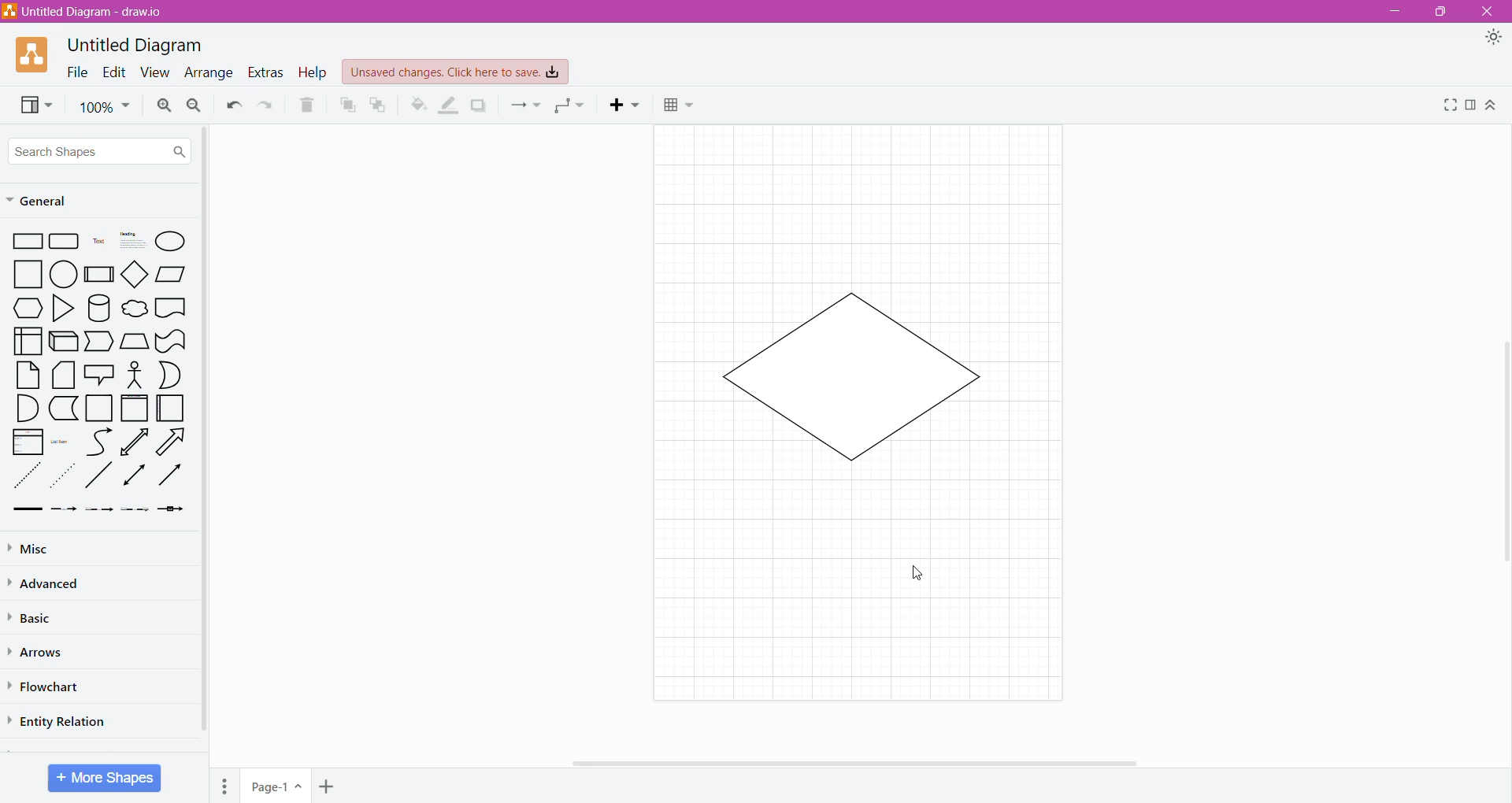 The height and width of the screenshot is (803, 1512). Describe the element at coordinates (1450, 106) in the screenshot. I see `Fullscreen` at that location.